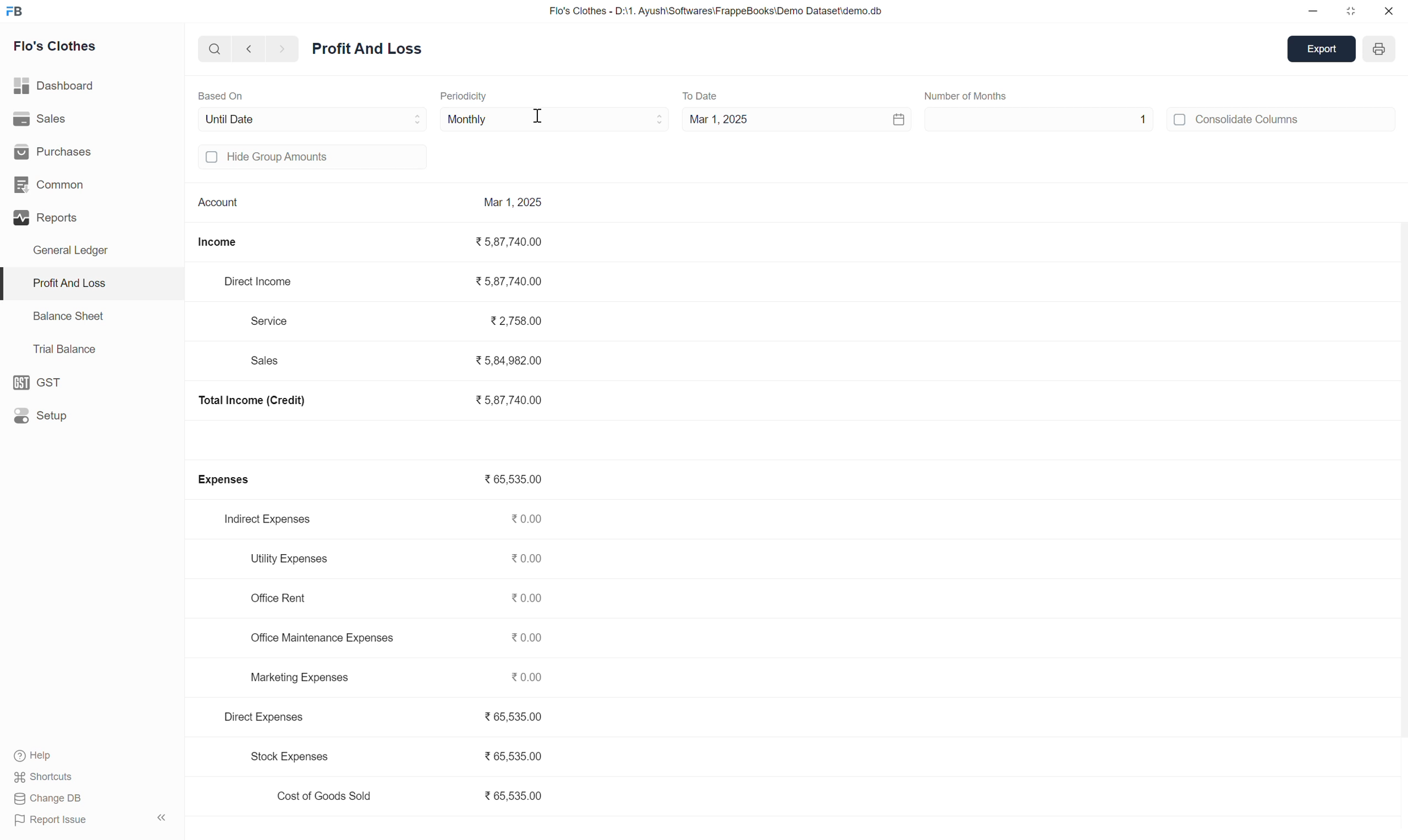 The width and height of the screenshot is (1408, 840). Describe the element at coordinates (272, 717) in the screenshot. I see `Direct Expenses` at that location.